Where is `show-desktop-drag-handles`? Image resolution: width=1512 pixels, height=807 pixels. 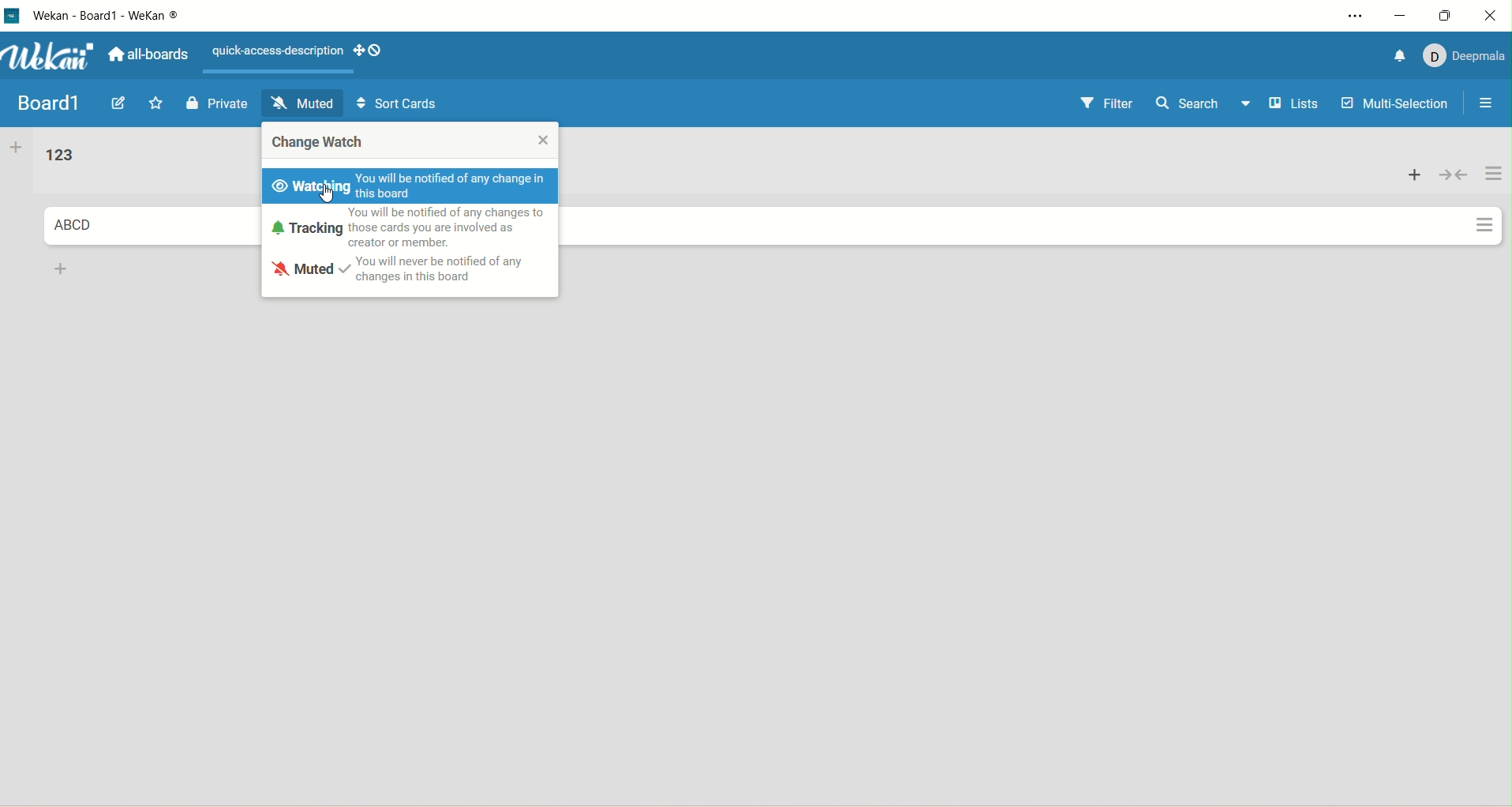 show-desktop-drag-handles is located at coordinates (367, 52).